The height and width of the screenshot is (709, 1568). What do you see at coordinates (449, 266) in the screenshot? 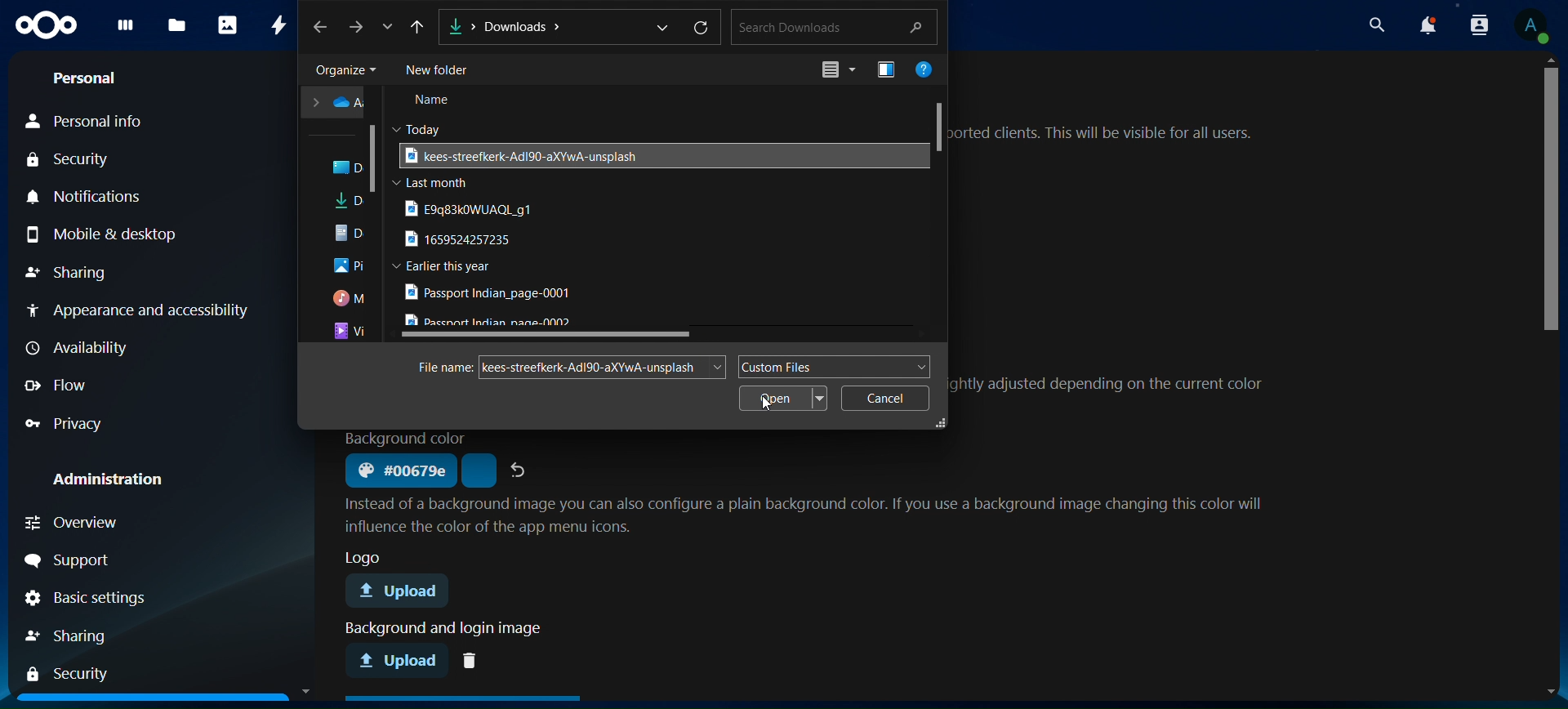
I see `earlier this year` at bounding box center [449, 266].